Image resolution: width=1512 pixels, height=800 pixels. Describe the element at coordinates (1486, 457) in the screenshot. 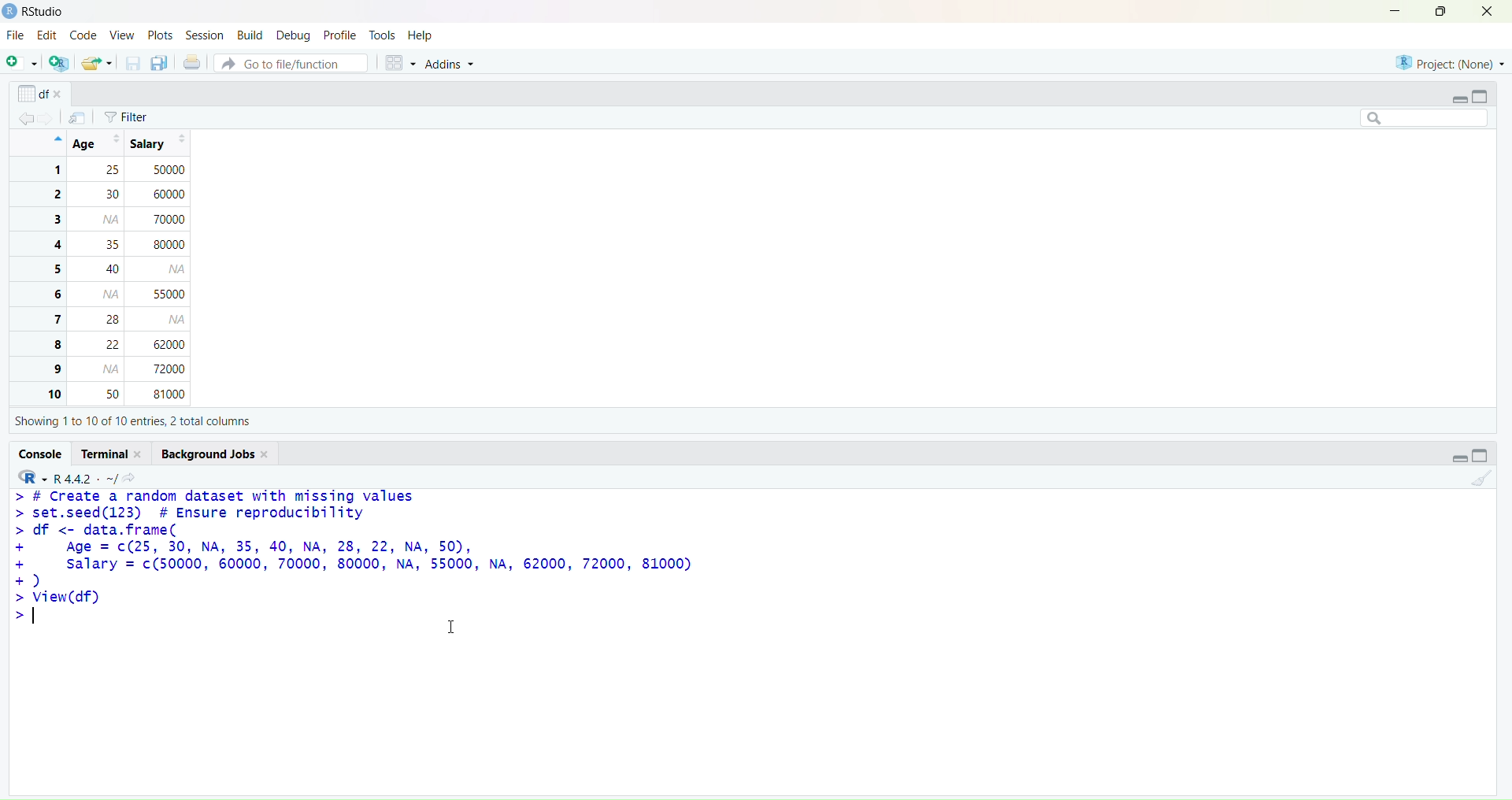

I see `collapse` at that location.